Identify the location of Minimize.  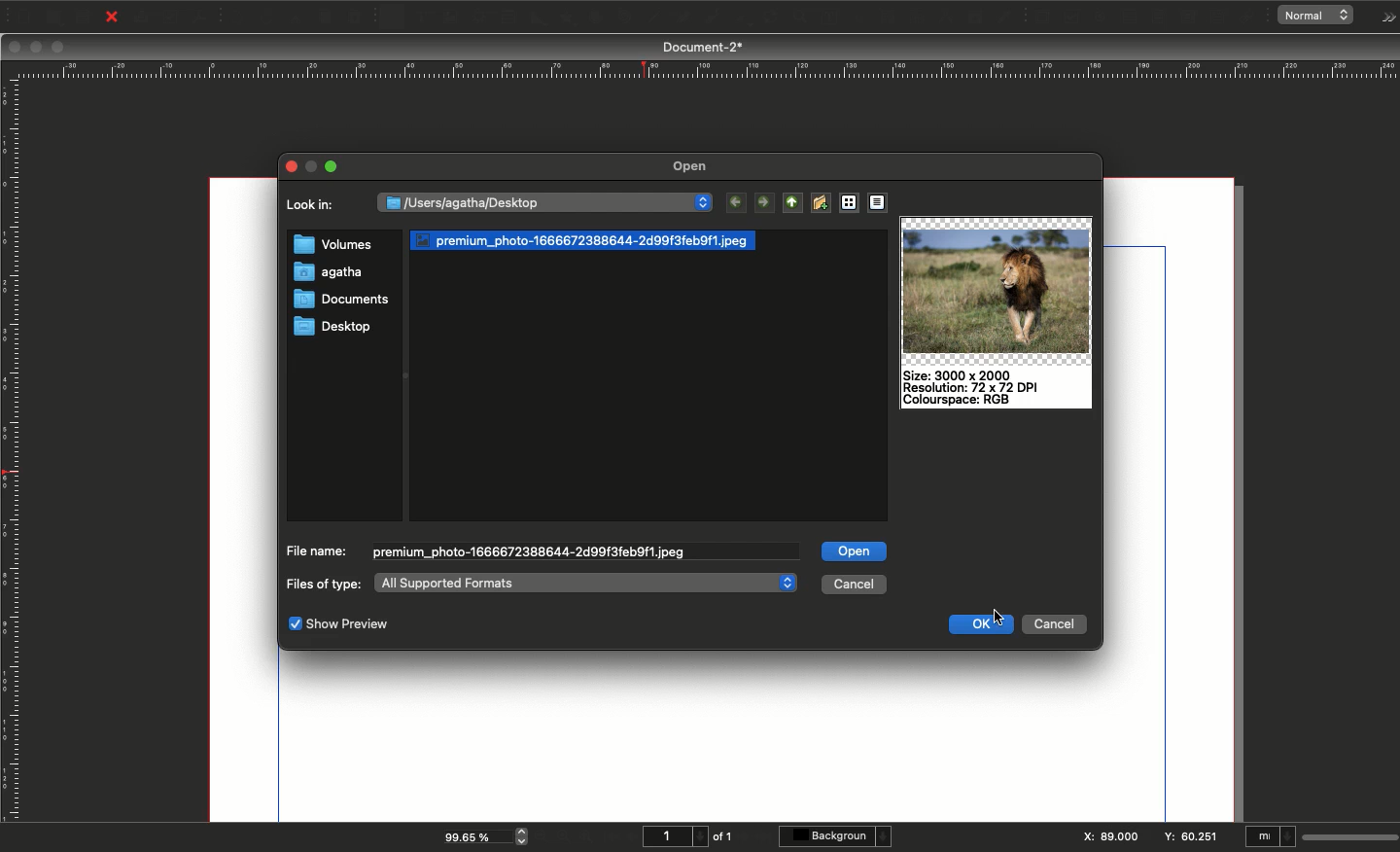
(335, 166).